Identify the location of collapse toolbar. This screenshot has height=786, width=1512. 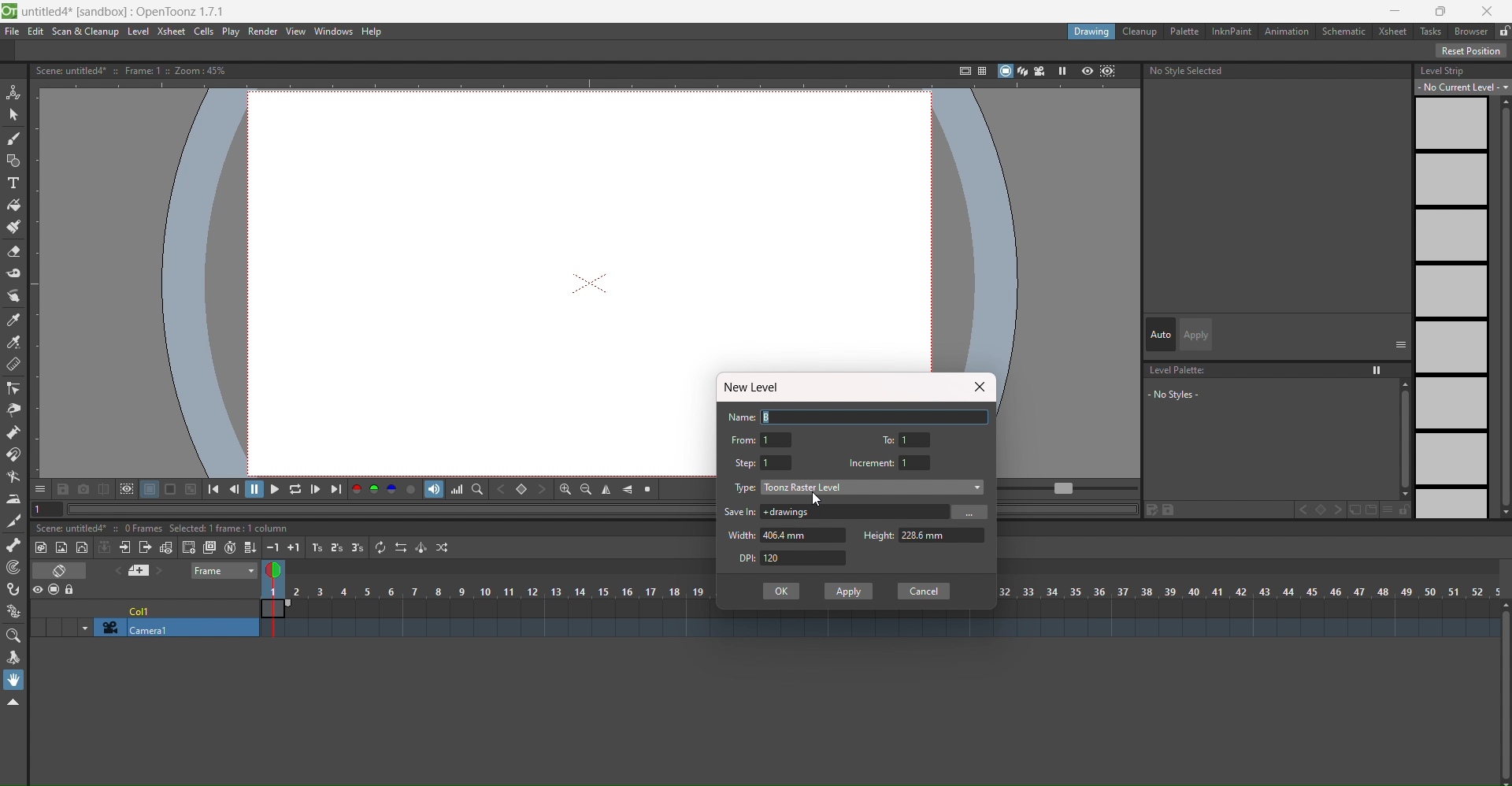
(13, 703).